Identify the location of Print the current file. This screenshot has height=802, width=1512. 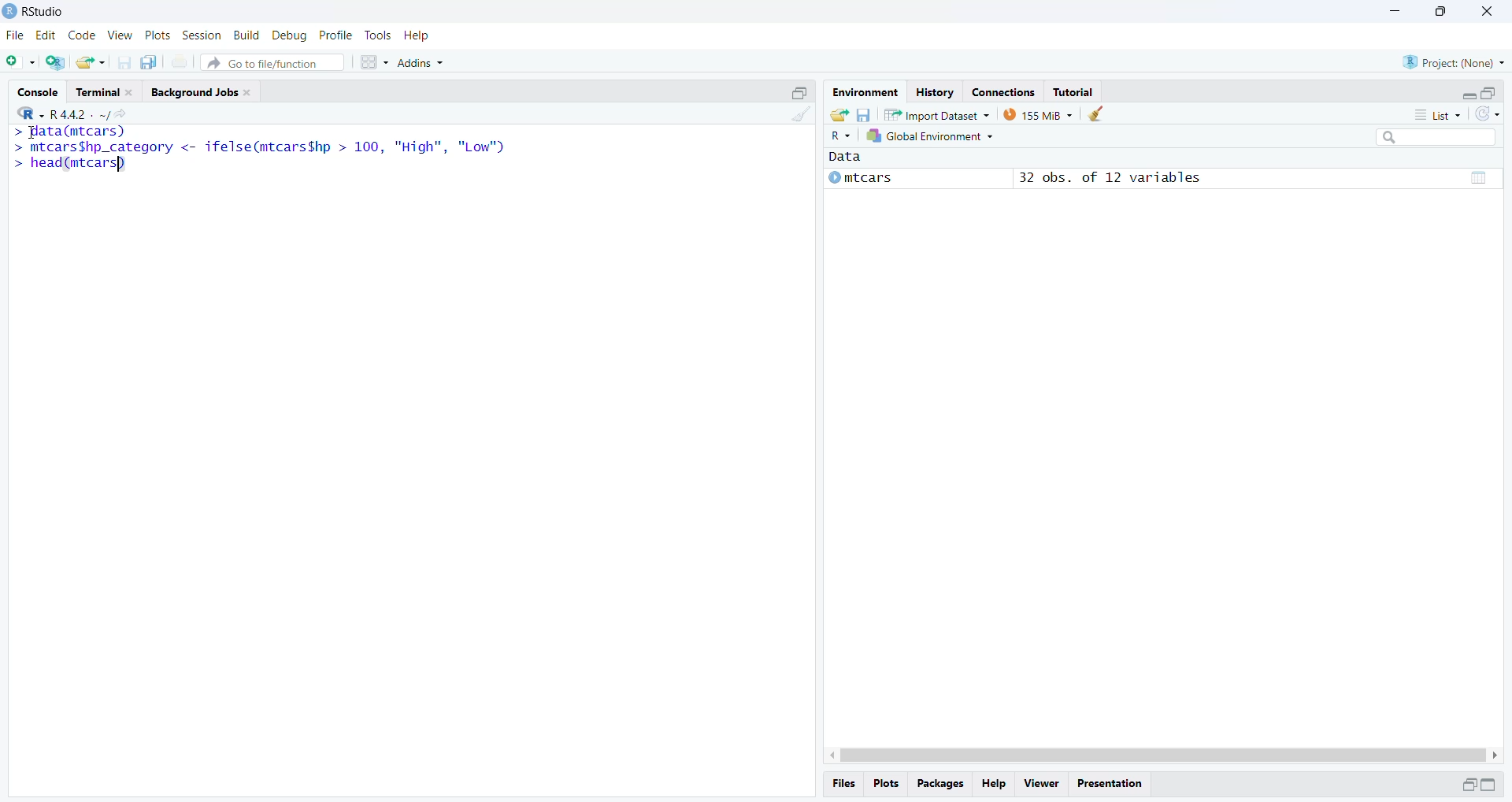
(180, 65).